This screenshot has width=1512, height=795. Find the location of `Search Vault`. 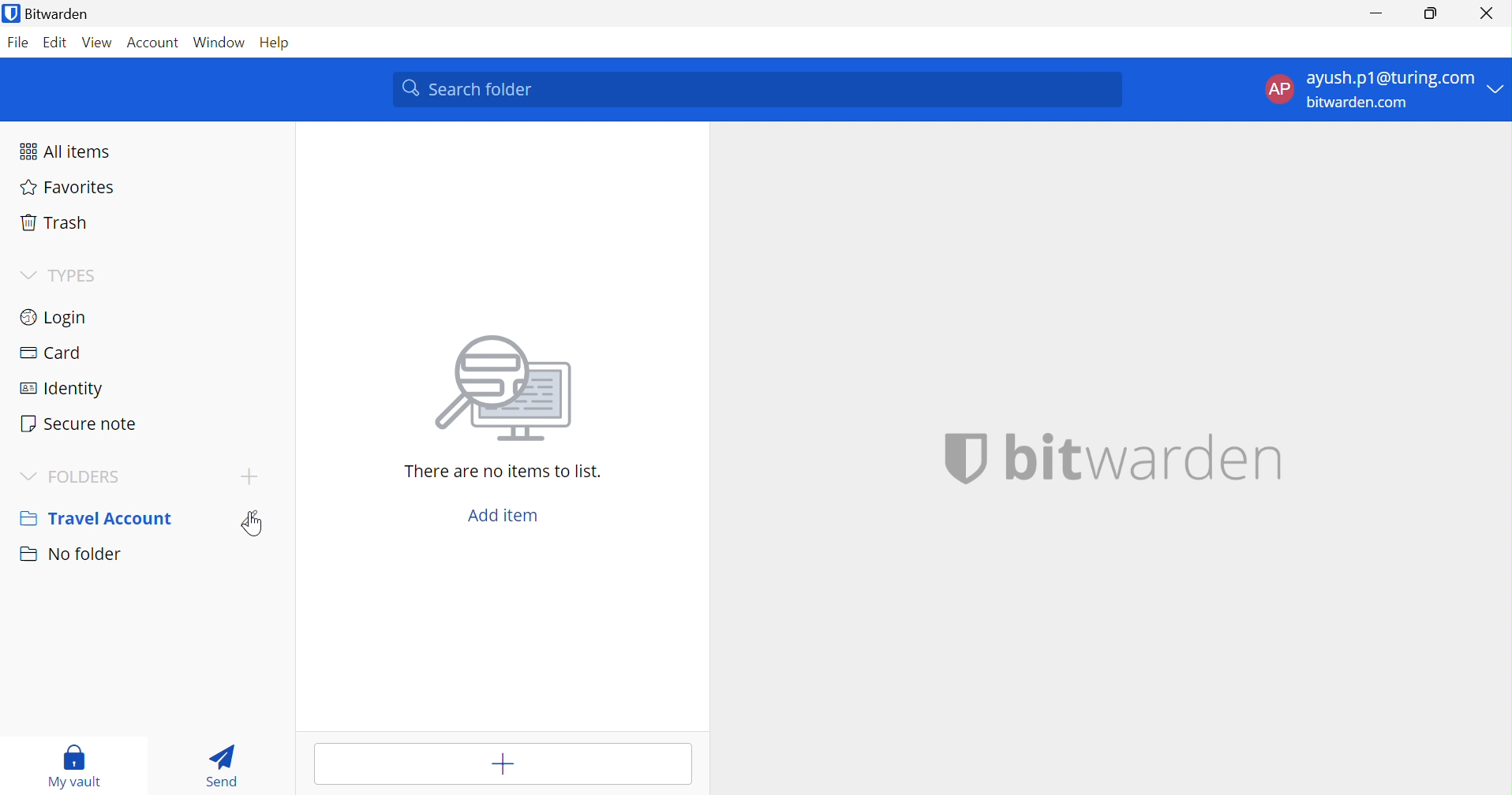

Search Vault is located at coordinates (757, 88).